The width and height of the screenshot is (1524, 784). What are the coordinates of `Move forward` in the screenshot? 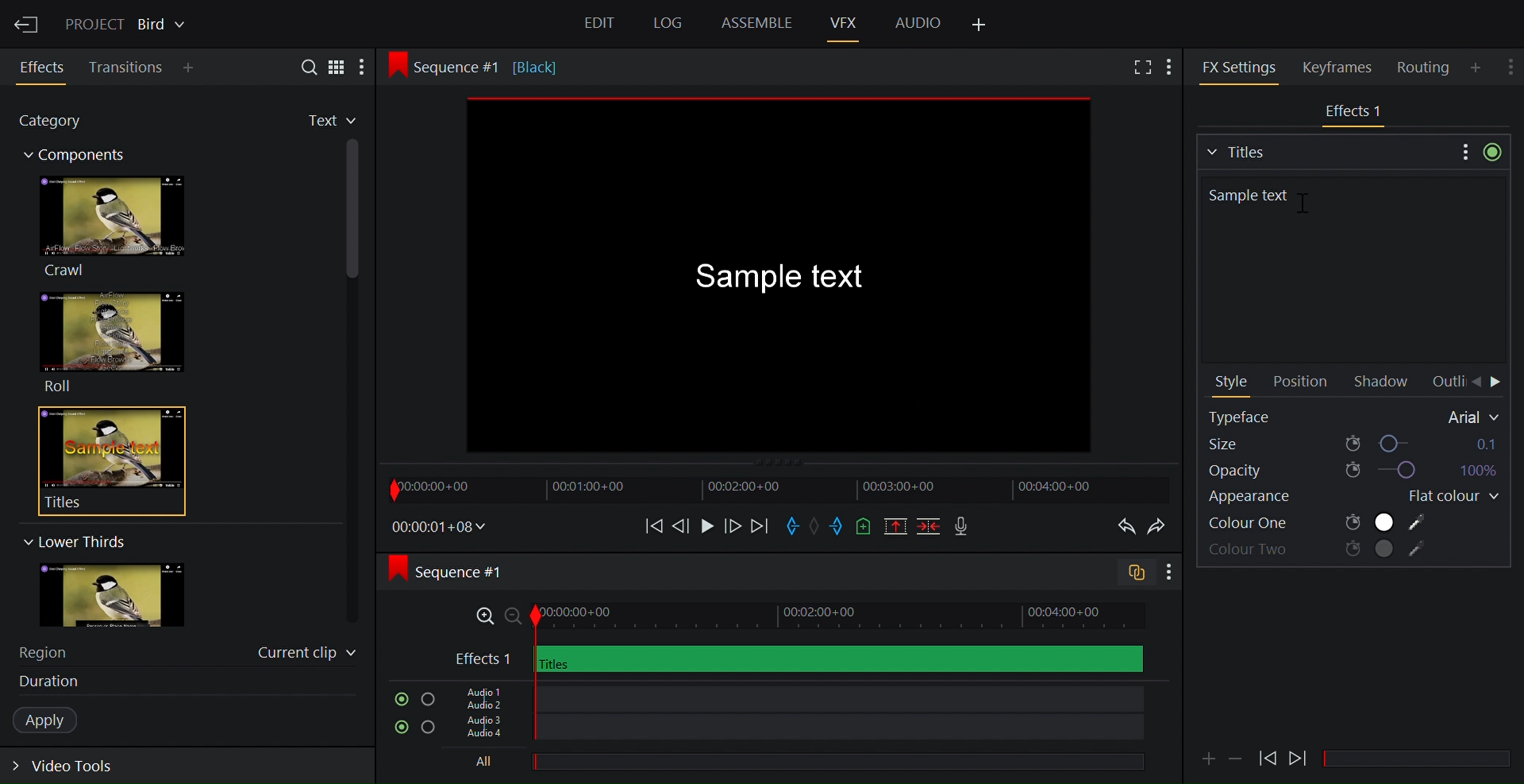 It's located at (759, 527).